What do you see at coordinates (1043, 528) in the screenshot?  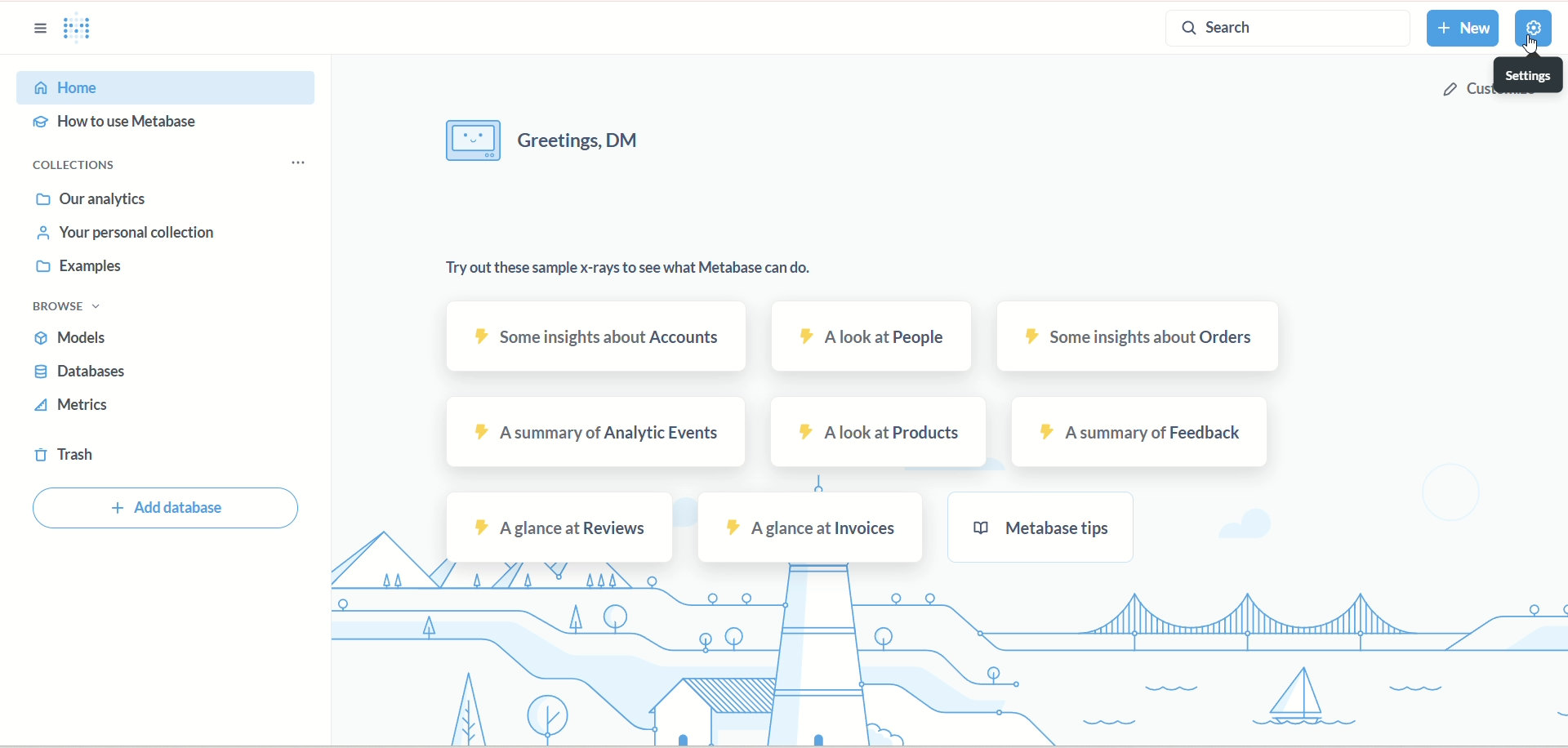 I see `metabase tips` at bounding box center [1043, 528].